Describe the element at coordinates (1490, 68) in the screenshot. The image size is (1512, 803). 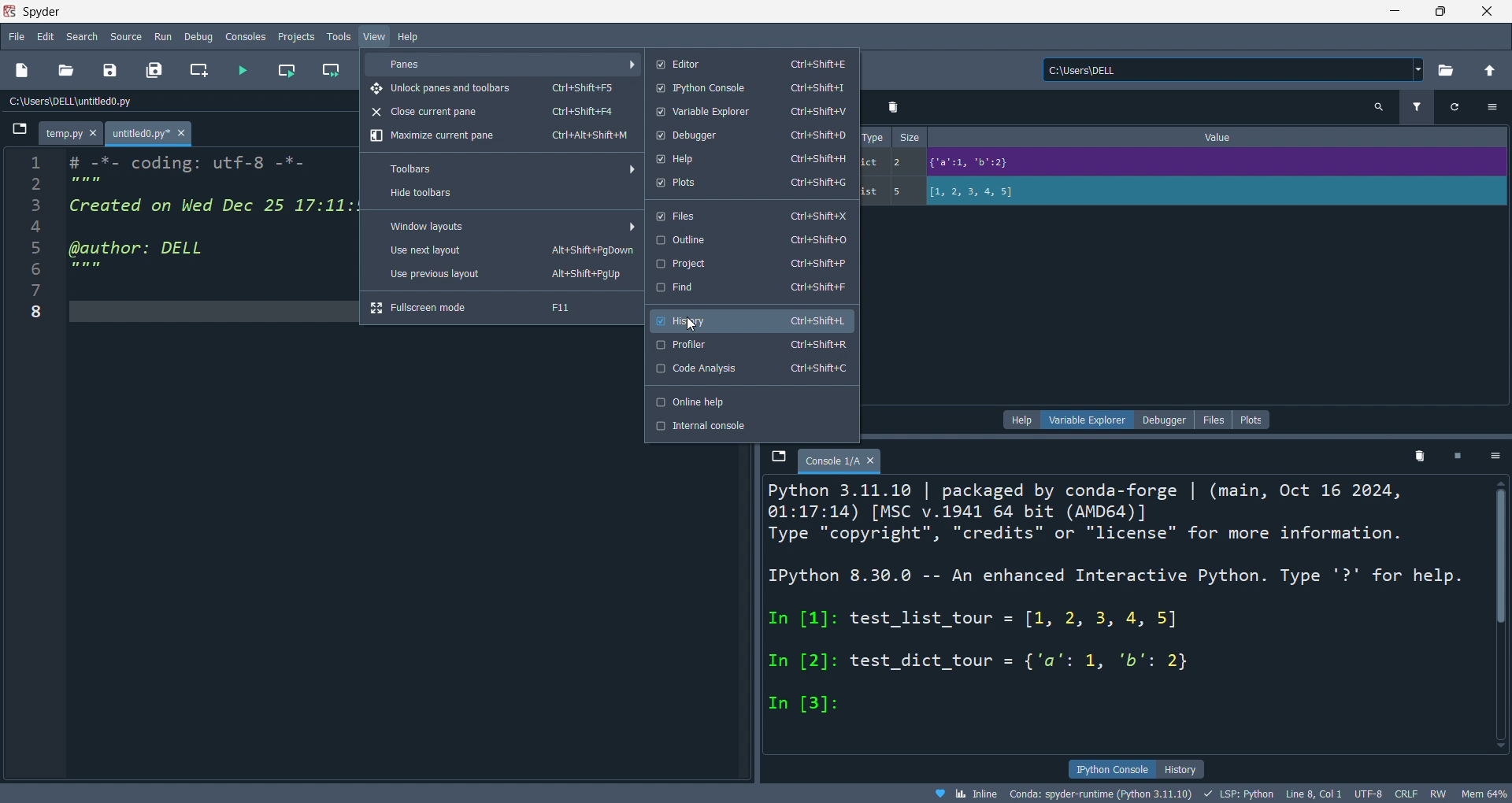
I see `open parent directory` at that location.